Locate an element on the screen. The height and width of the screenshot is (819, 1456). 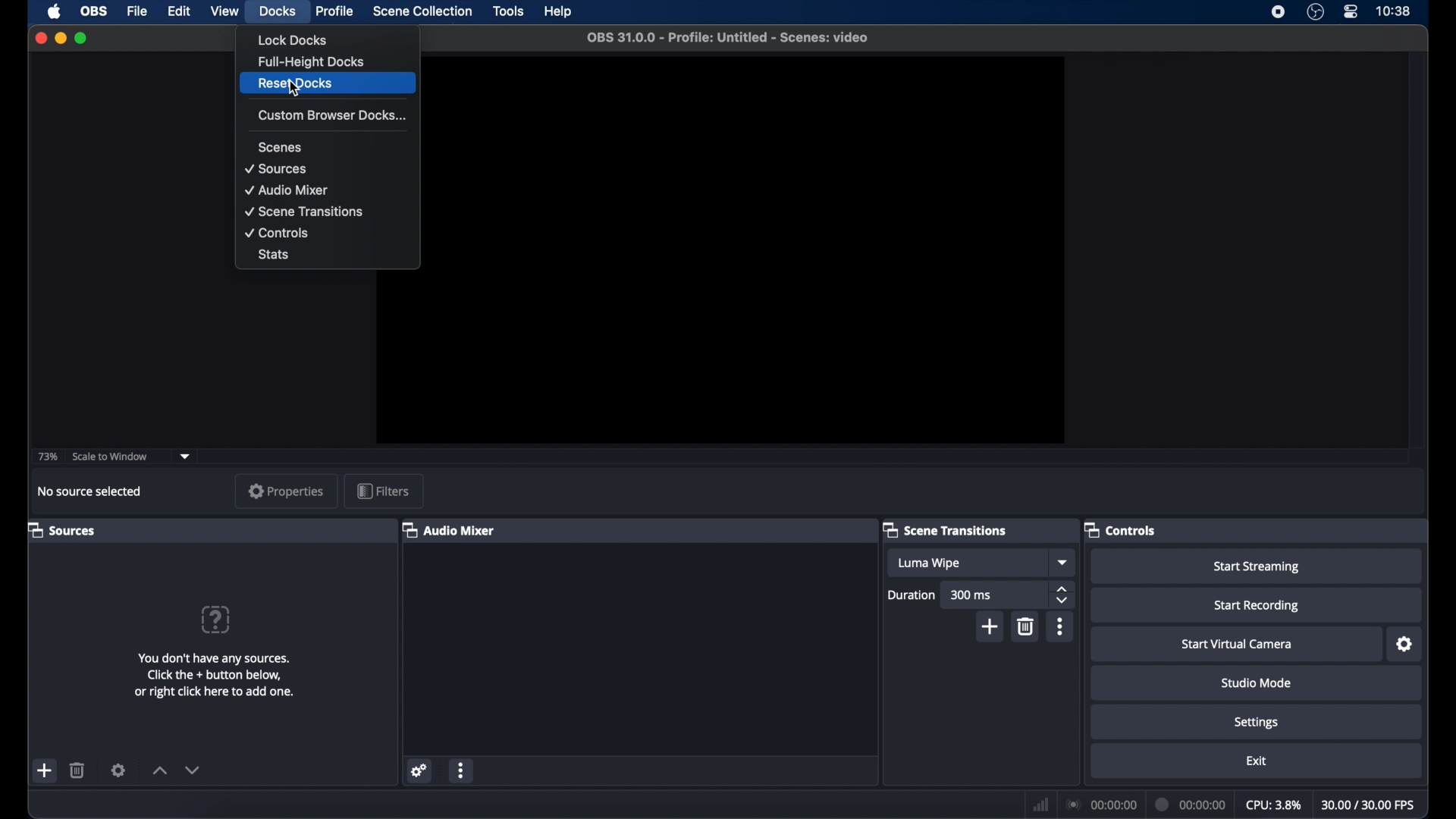
delete is located at coordinates (78, 770).